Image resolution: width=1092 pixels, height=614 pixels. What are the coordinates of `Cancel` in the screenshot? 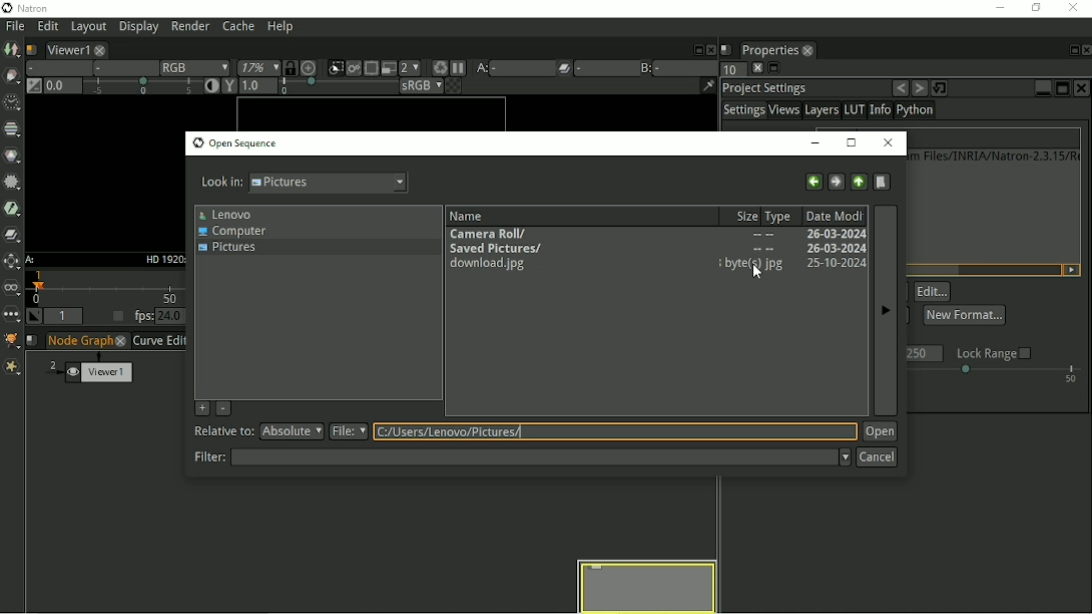 It's located at (877, 458).